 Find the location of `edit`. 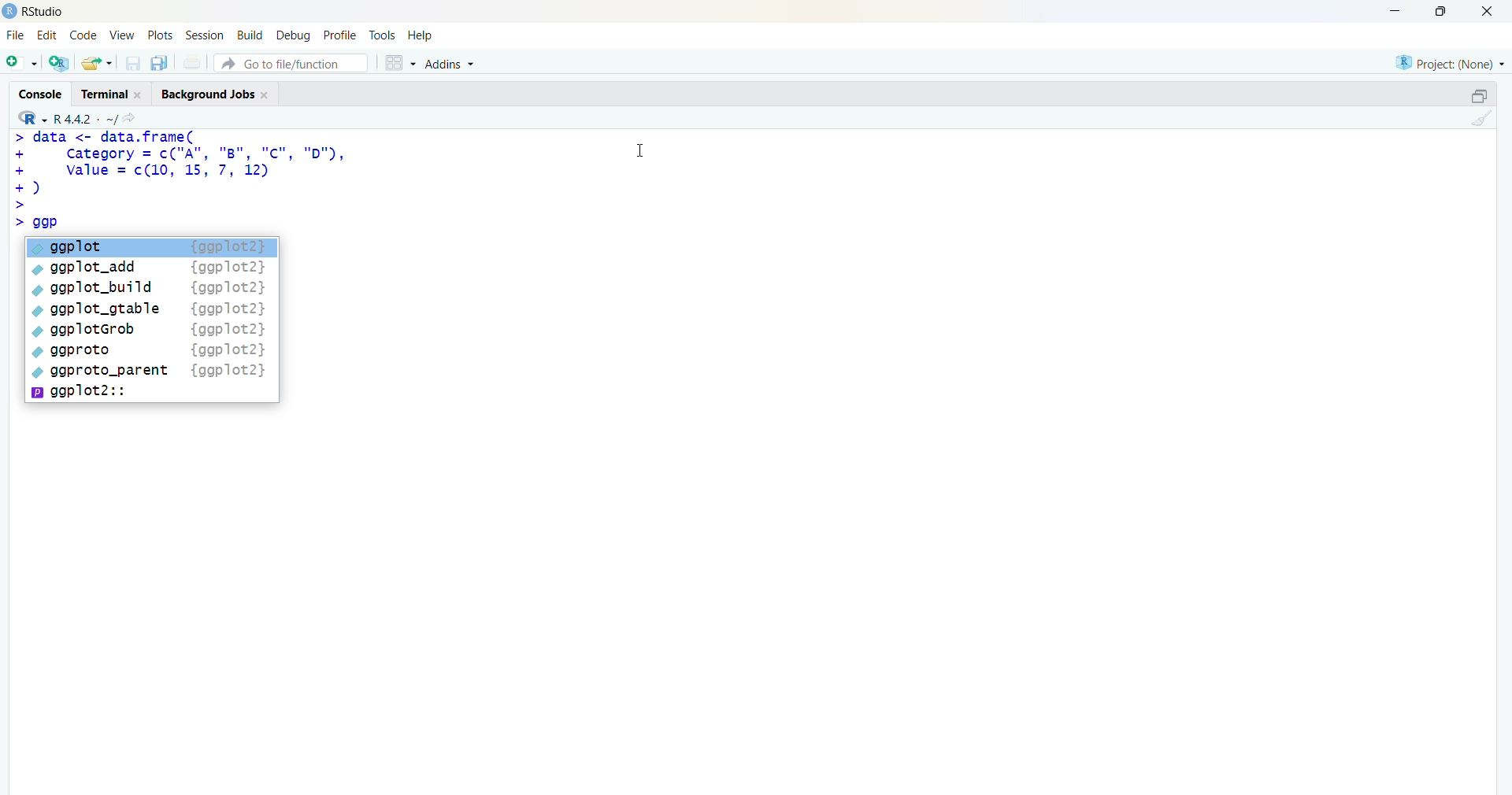

edit is located at coordinates (47, 35).